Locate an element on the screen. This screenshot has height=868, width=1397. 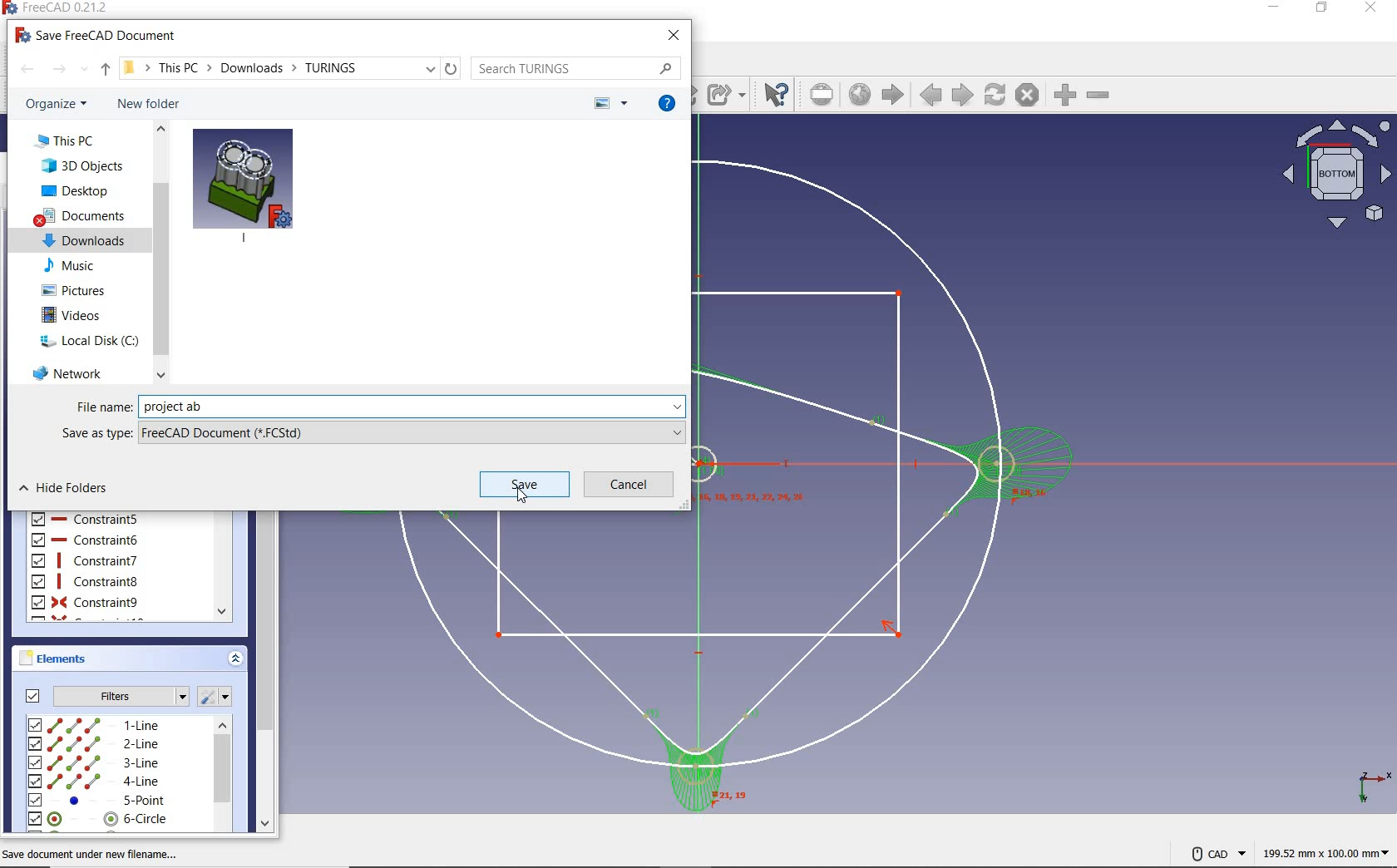
save document under new filename is located at coordinates (93, 853).